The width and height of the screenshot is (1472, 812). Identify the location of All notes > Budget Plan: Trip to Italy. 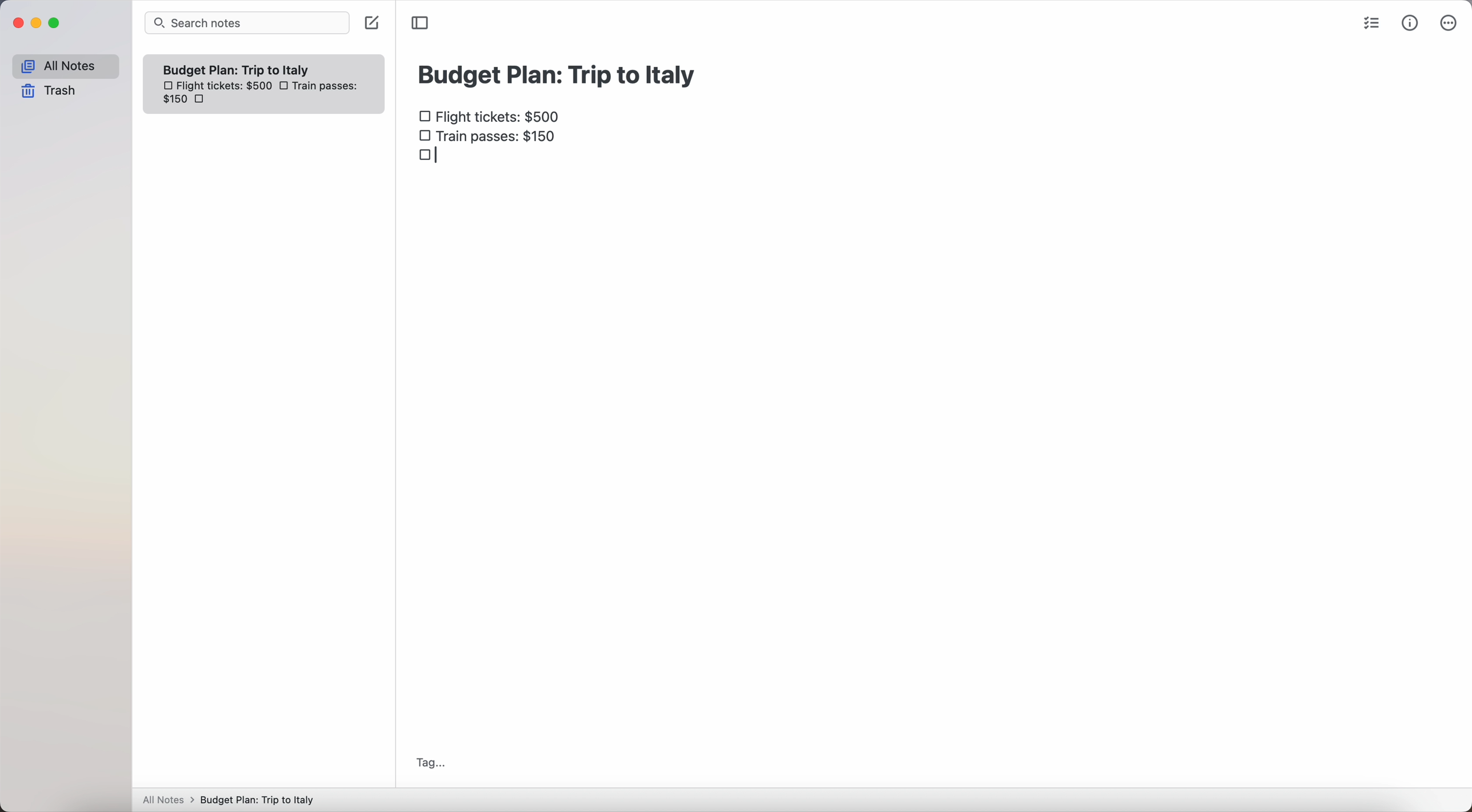
(234, 799).